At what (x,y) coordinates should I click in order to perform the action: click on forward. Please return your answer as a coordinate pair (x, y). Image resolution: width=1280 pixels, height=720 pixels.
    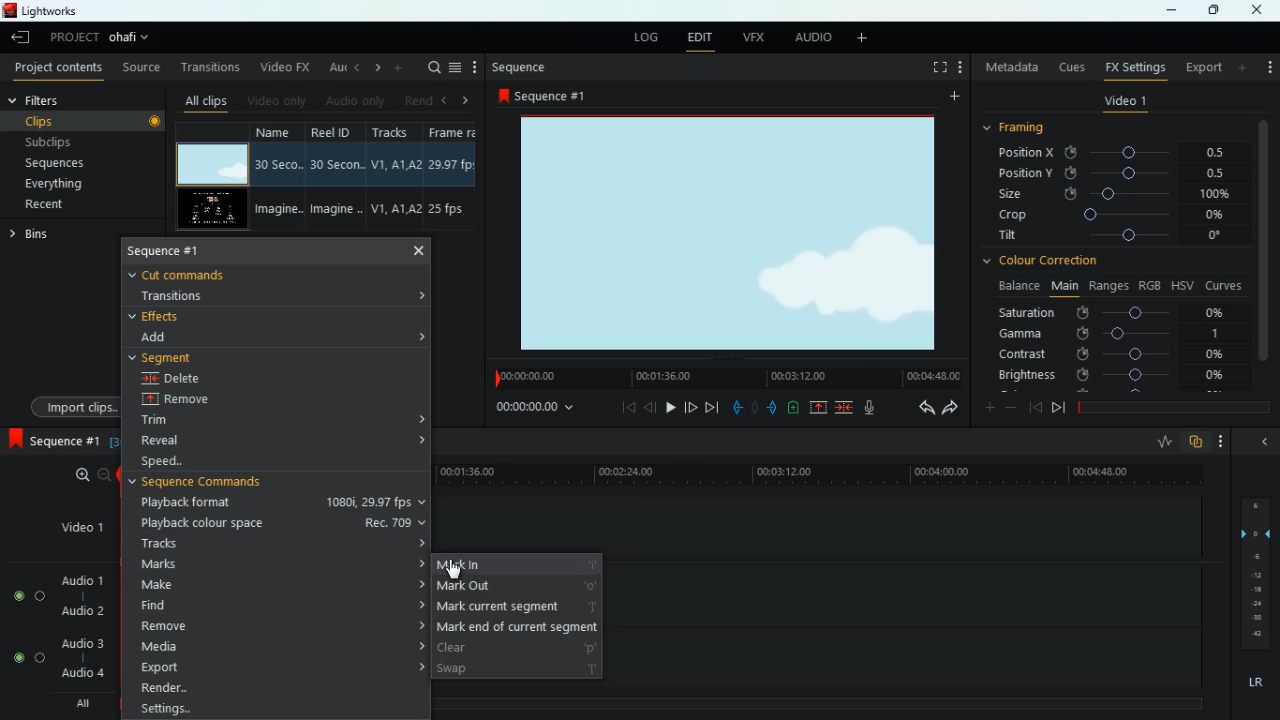
    Looking at the image, I should click on (1058, 410).